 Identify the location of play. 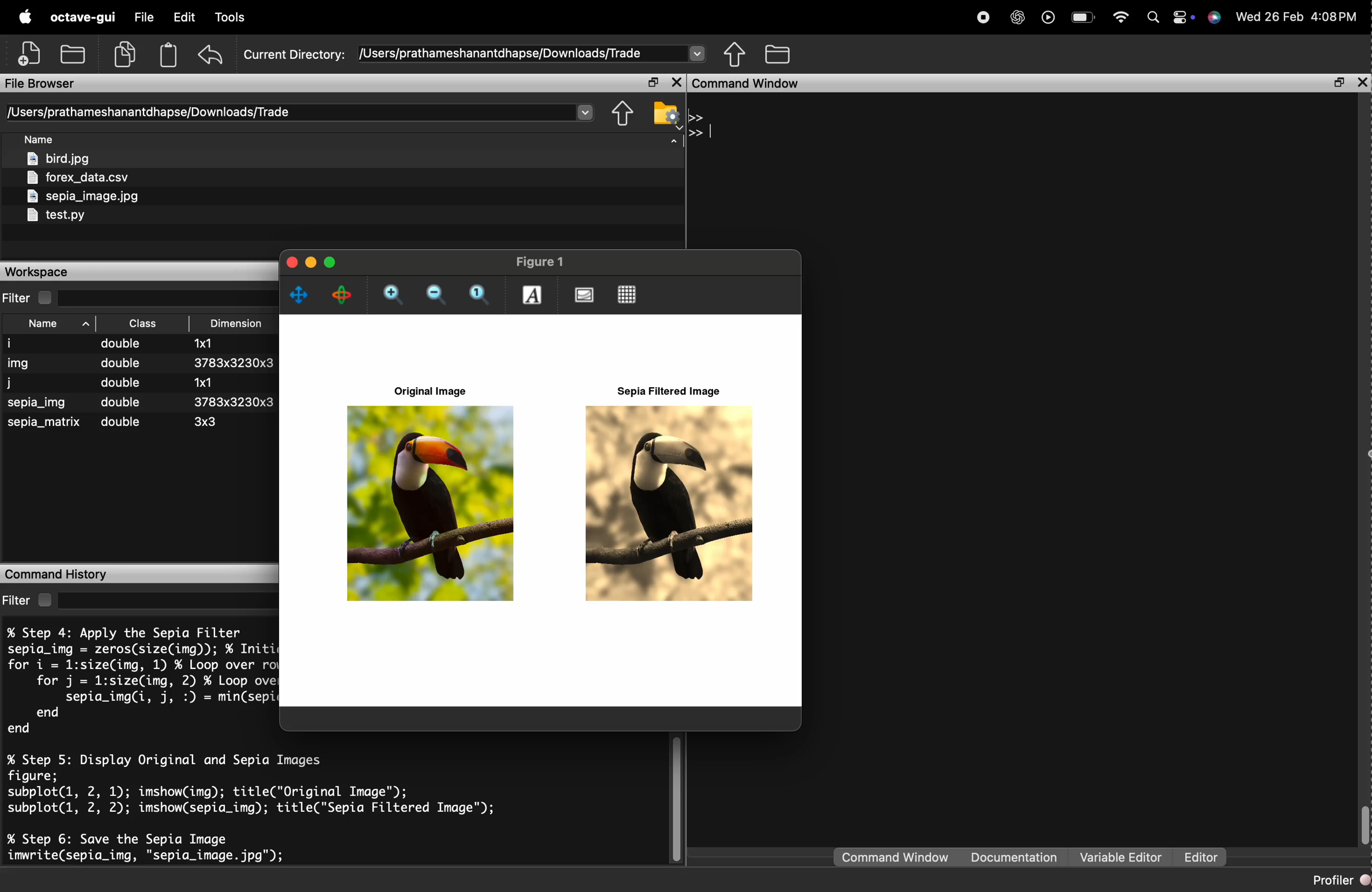
(1048, 18).